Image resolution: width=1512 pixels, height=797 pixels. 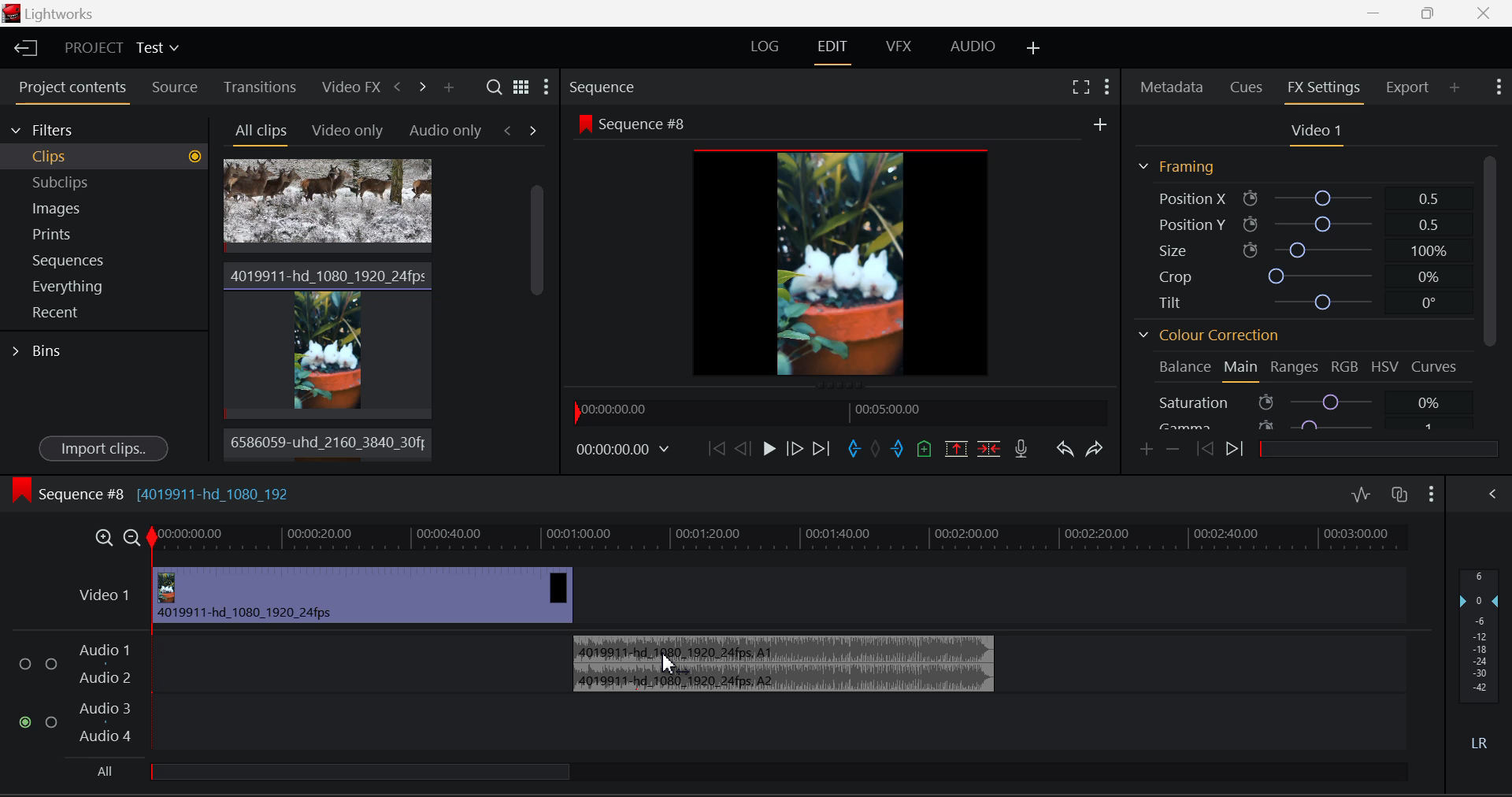 What do you see at coordinates (493, 87) in the screenshot?
I see `Search` at bounding box center [493, 87].